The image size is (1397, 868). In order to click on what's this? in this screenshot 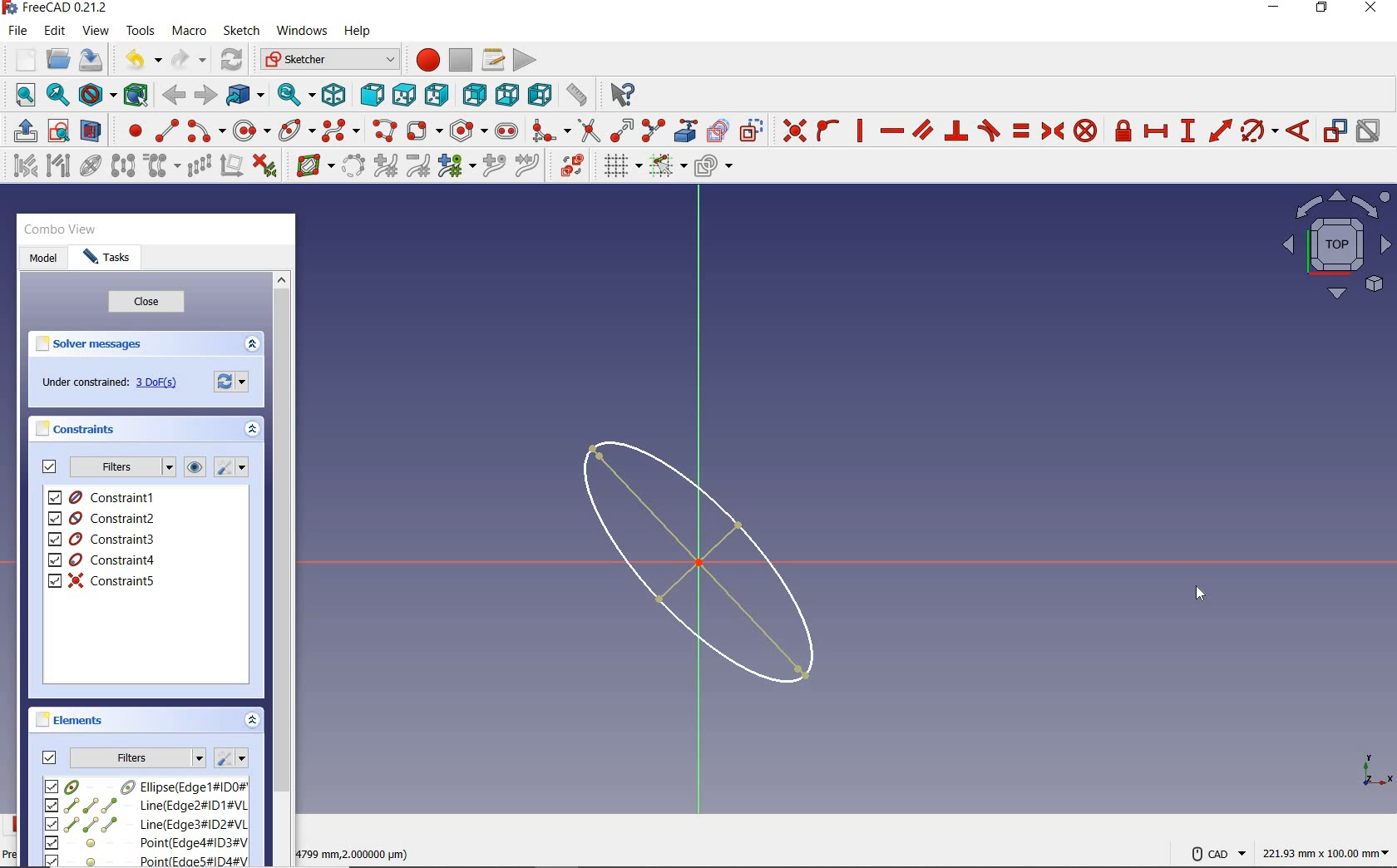, I will do `click(620, 91)`.